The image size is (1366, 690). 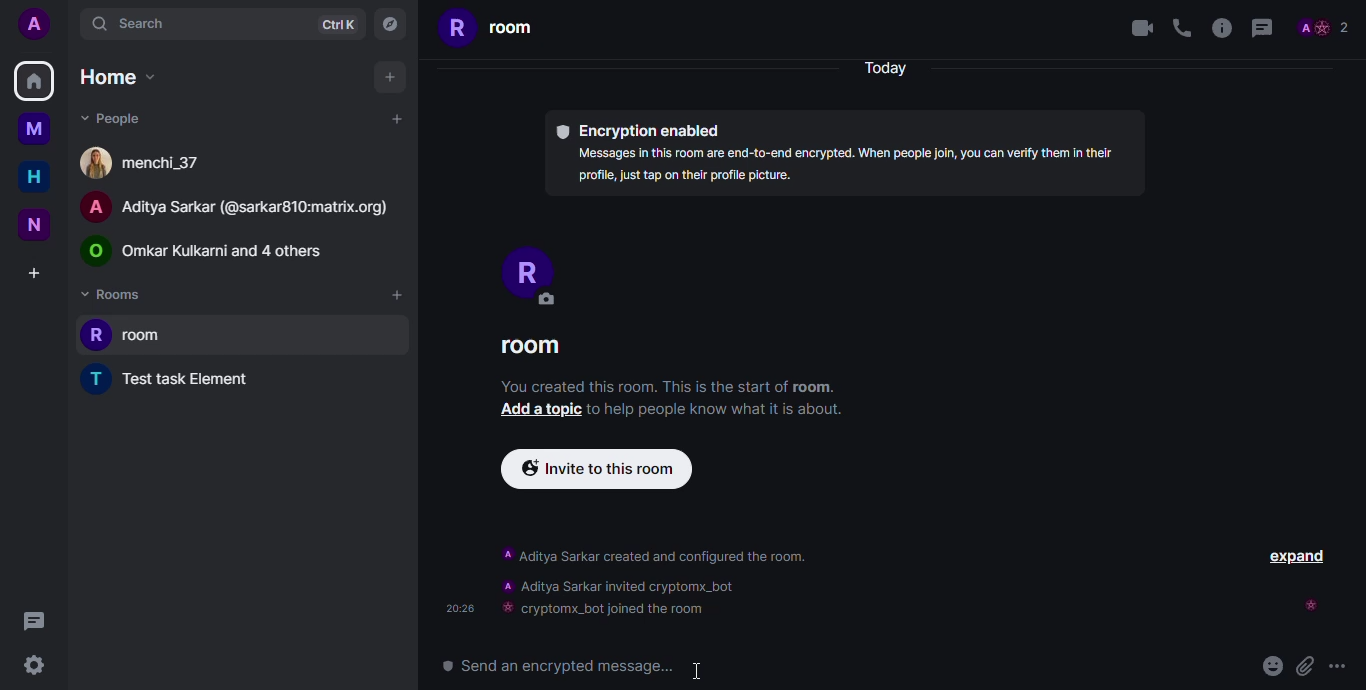 I want to click on Invite to this room, so click(x=595, y=470).